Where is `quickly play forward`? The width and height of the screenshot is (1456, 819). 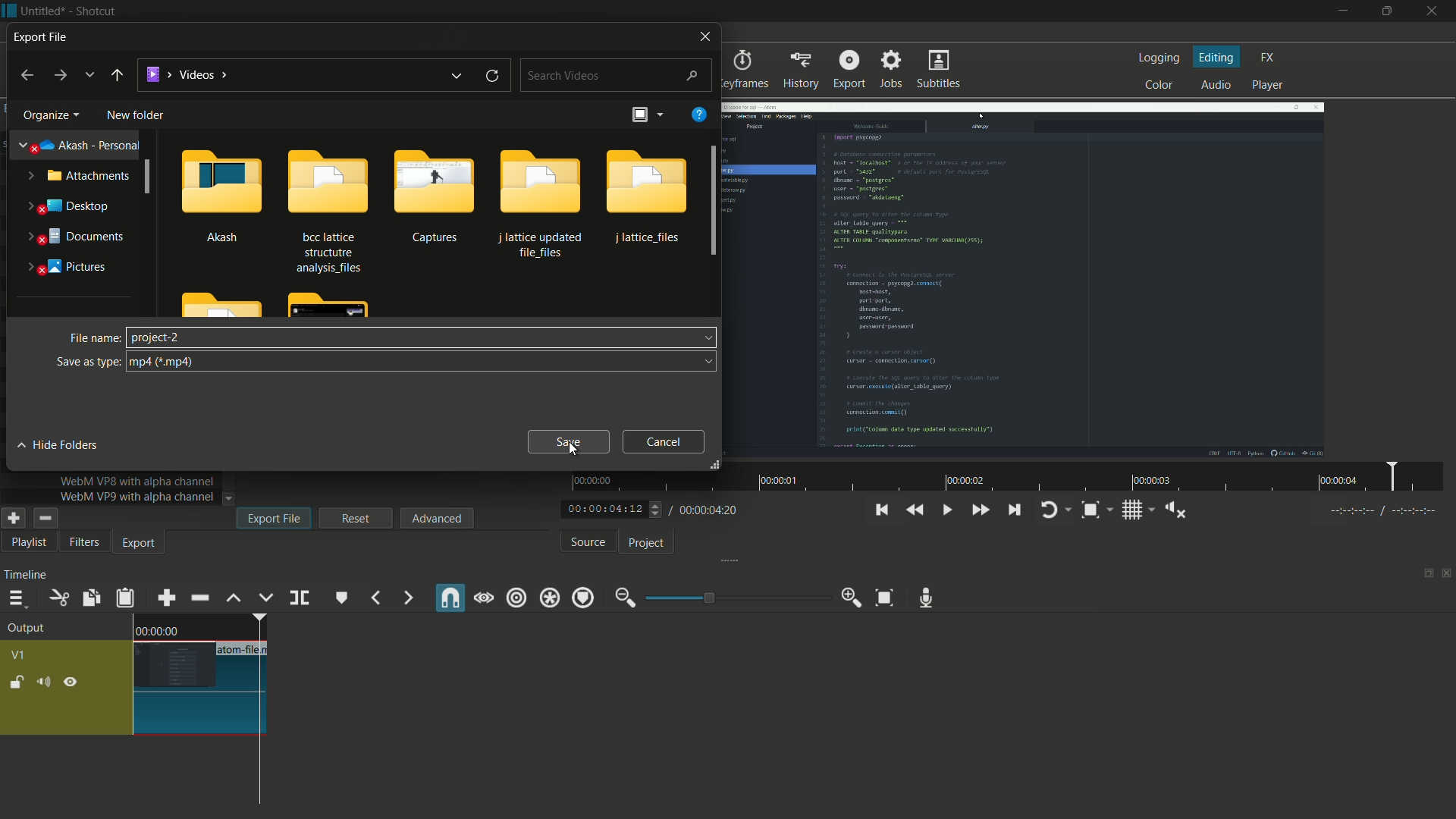 quickly play forward is located at coordinates (981, 511).